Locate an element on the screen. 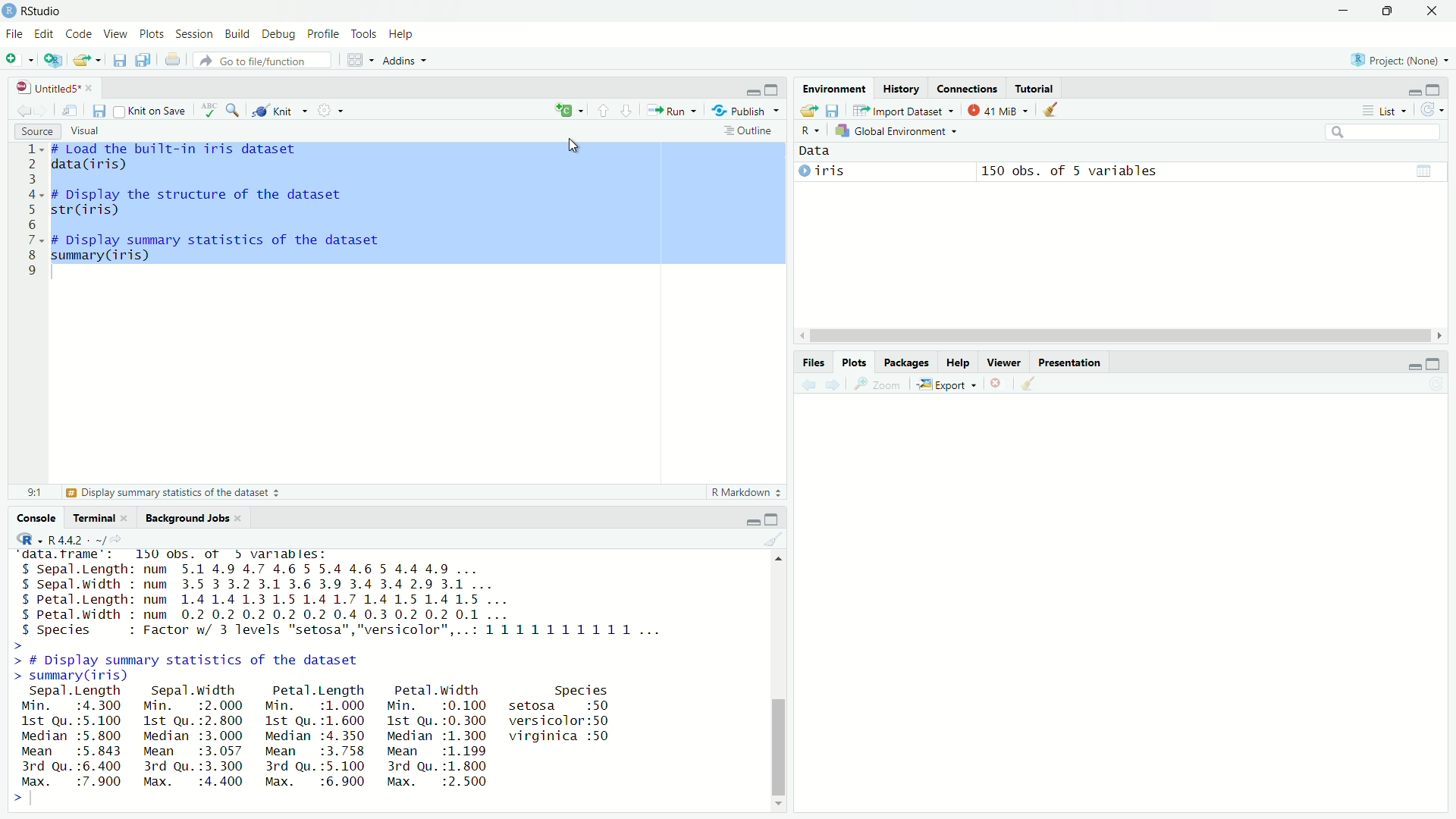 This screenshot has height=819, width=1456. Hide is located at coordinates (1414, 363).